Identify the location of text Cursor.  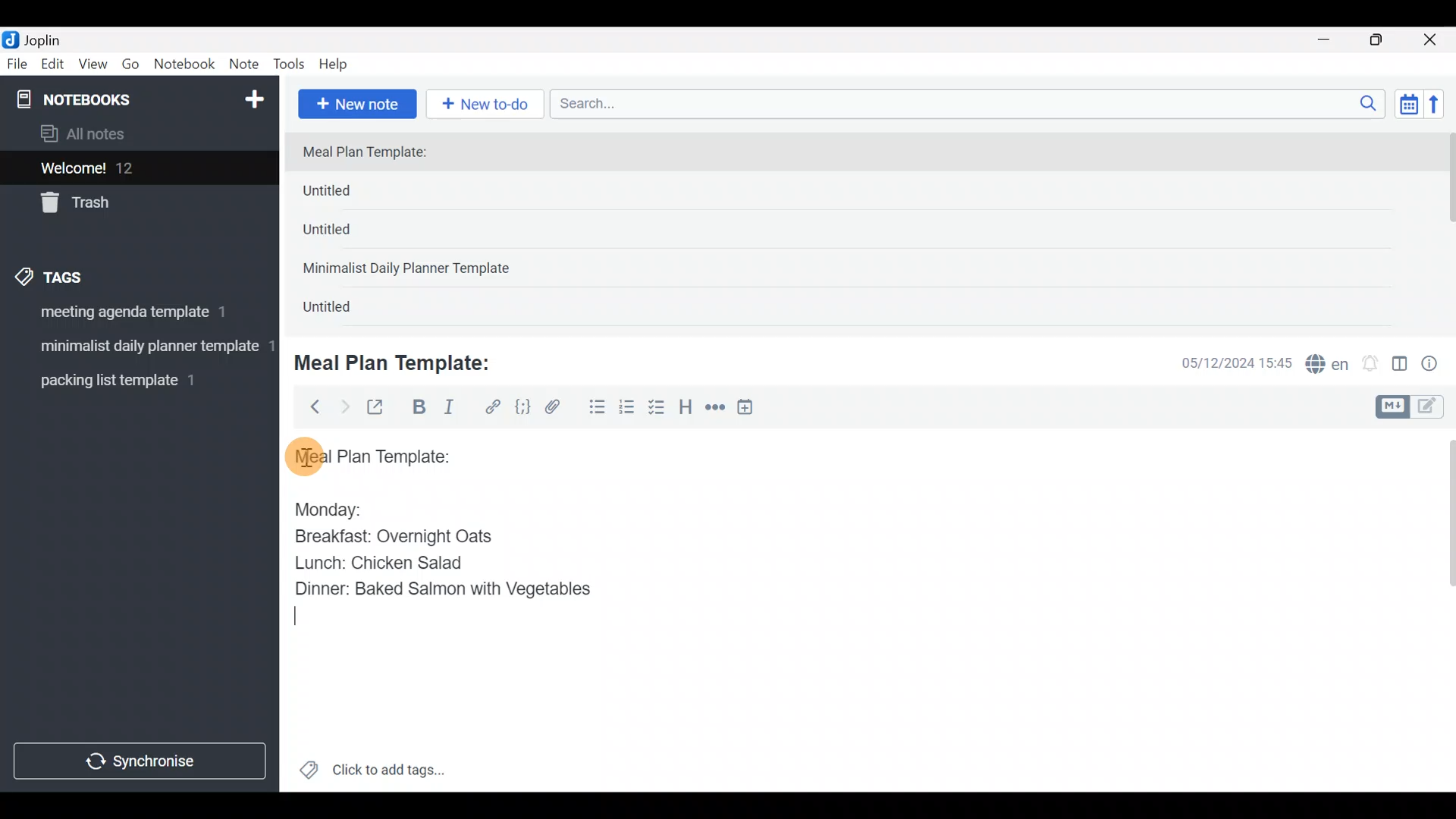
(299, 615).